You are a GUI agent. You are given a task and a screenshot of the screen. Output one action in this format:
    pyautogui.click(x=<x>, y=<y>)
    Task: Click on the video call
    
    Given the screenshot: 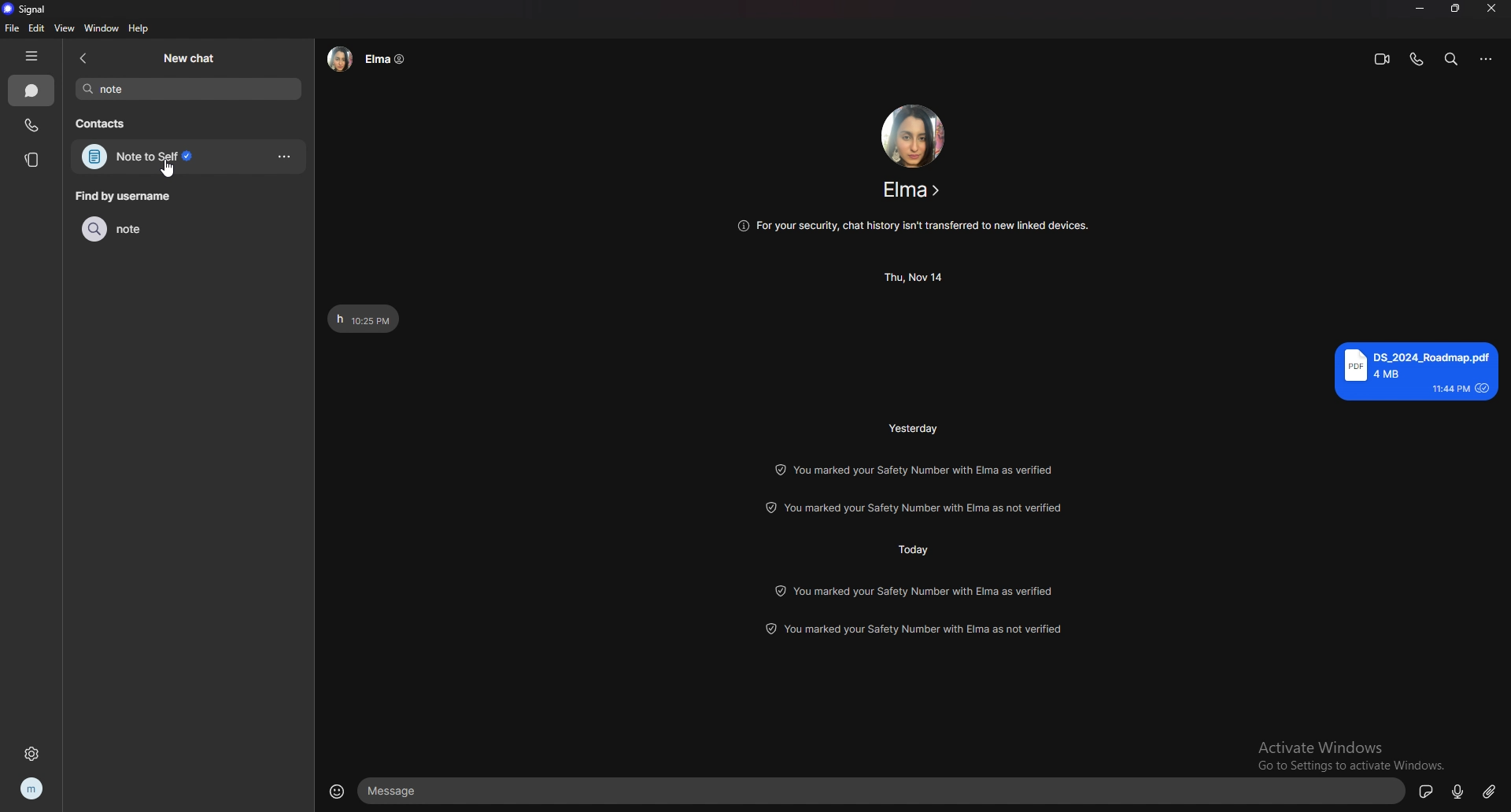 What is the action you would take?
    pyautogui.click(x=1382, y=58)
    